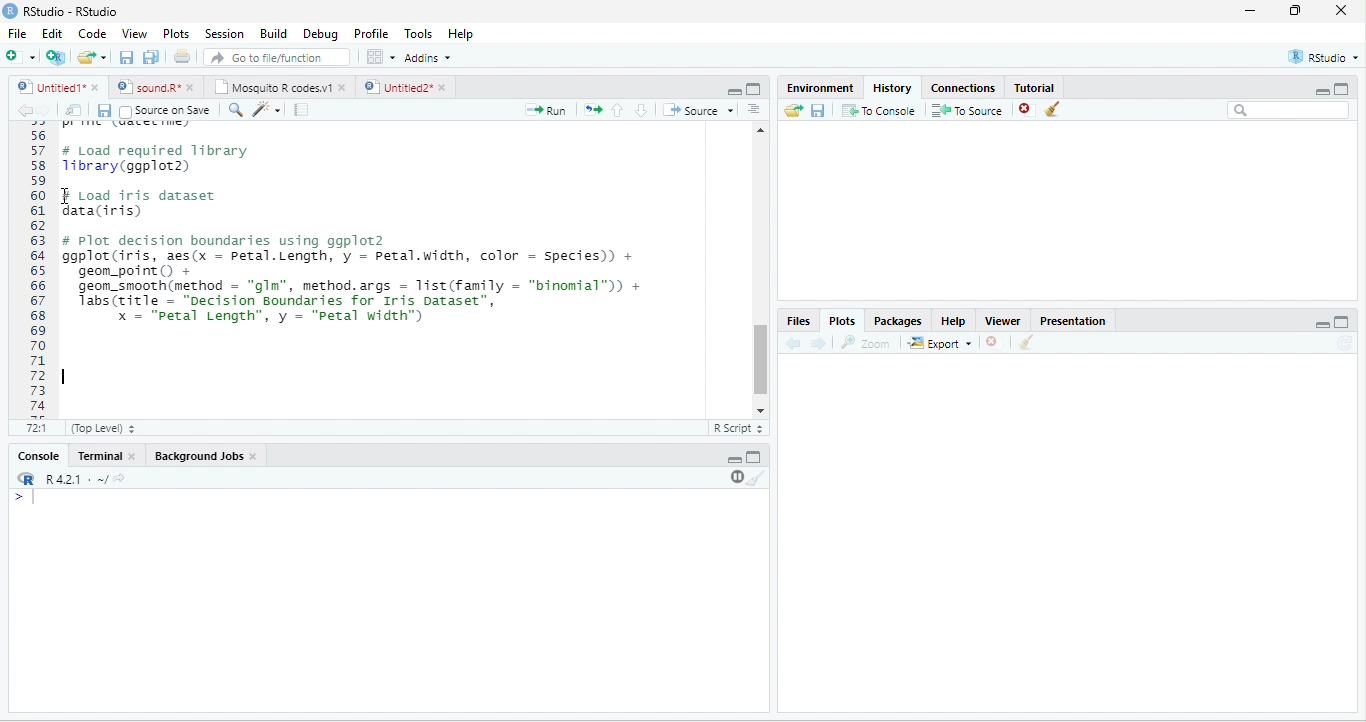 This screenshot has width=1366, height=722. I want to click on Zoom, so click(864, 343).